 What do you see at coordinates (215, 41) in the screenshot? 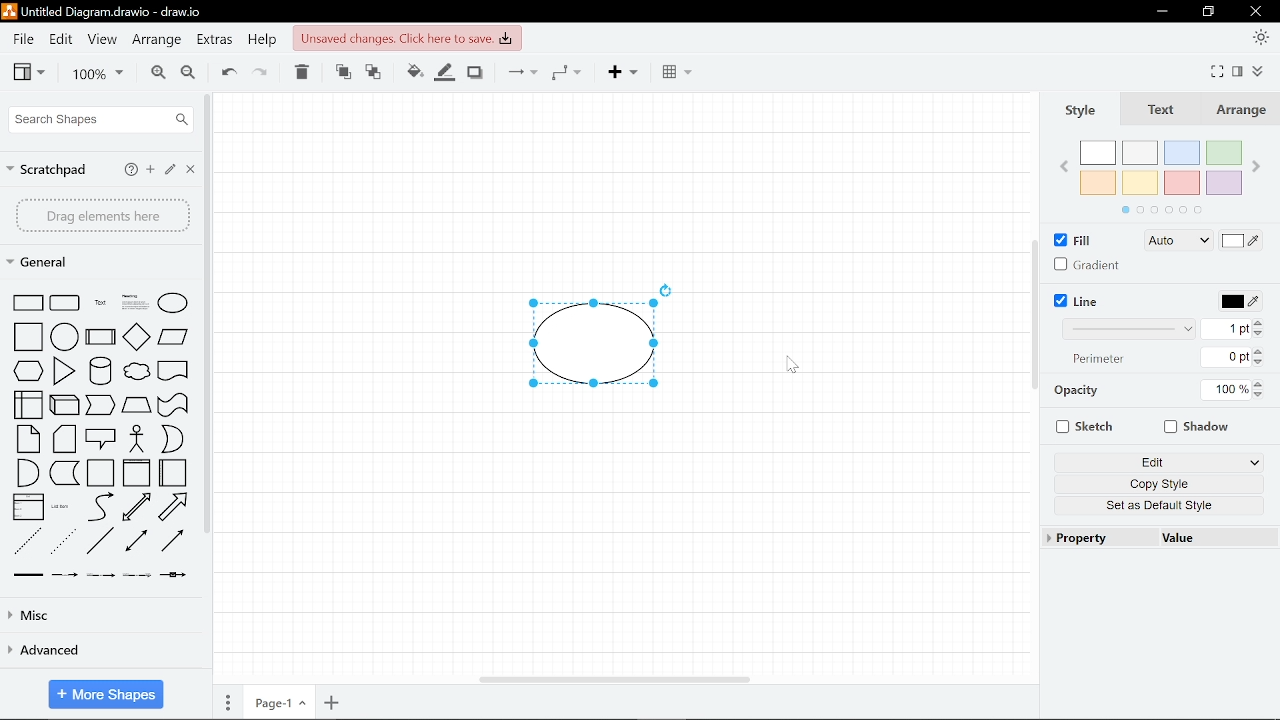
I see `Extras` at bounding box center [215, 41].